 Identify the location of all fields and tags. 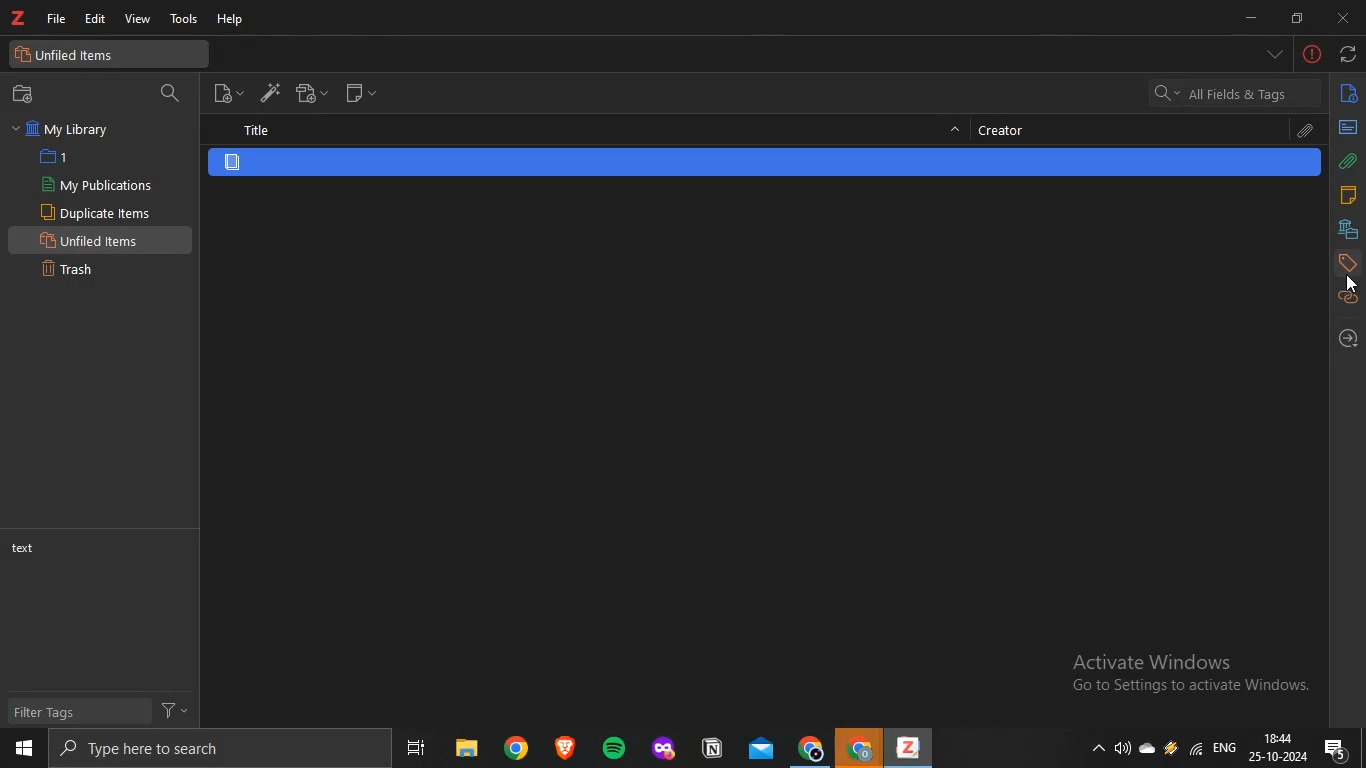
(1233, 93).